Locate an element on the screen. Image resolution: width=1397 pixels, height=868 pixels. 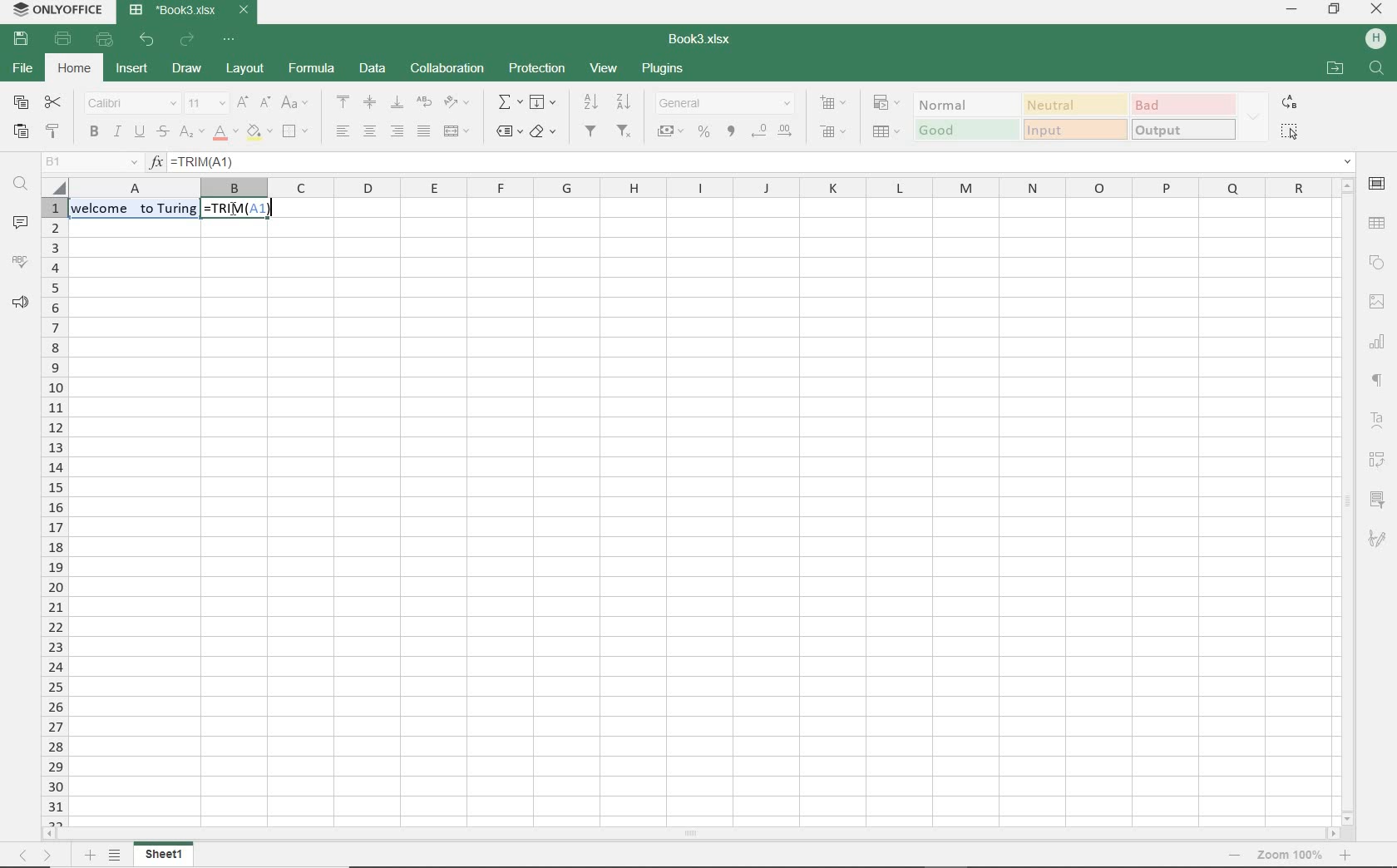
bold is located at coordinates (95, 133).